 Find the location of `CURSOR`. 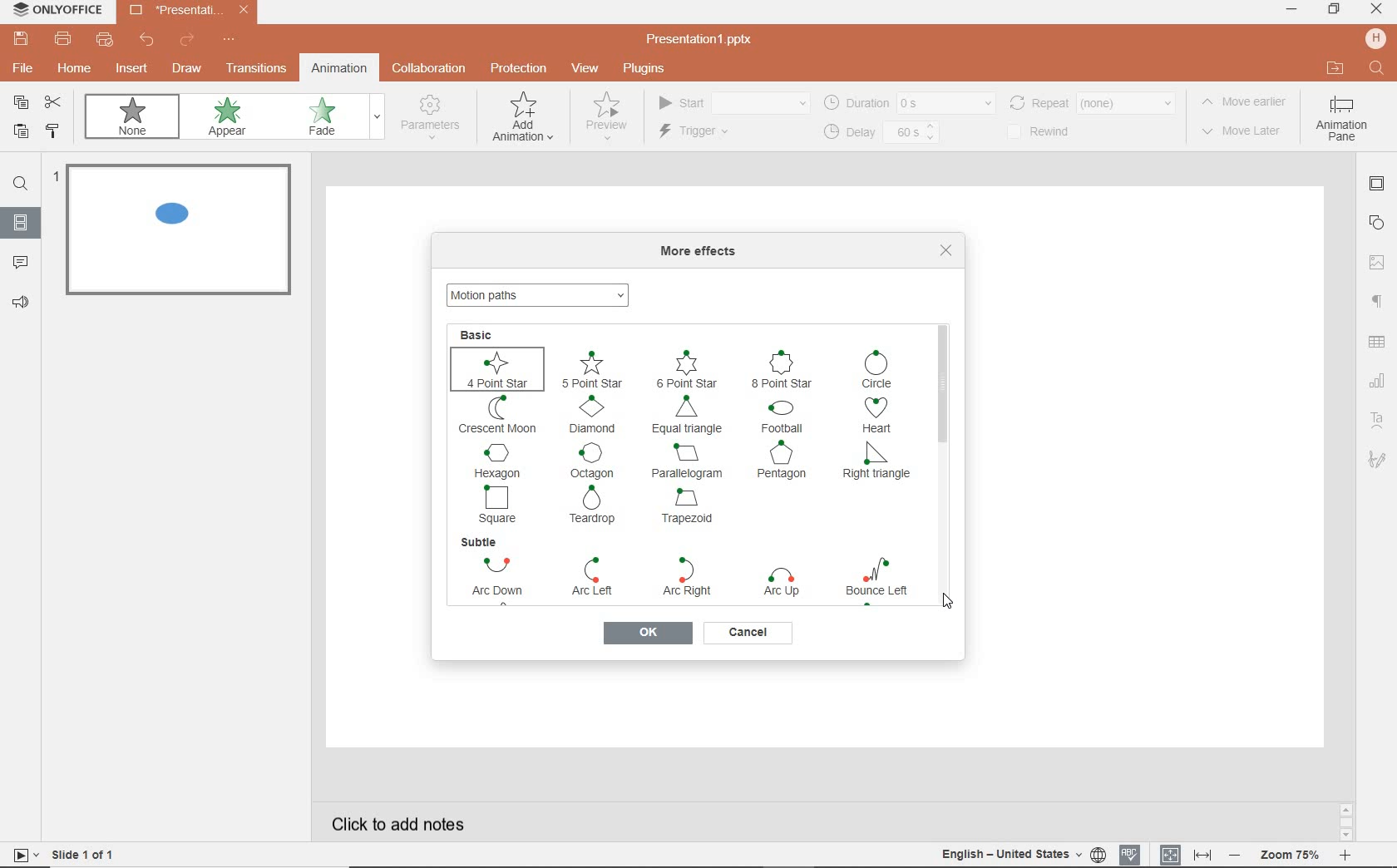

CURSOR is located at coordinates (947, 601).